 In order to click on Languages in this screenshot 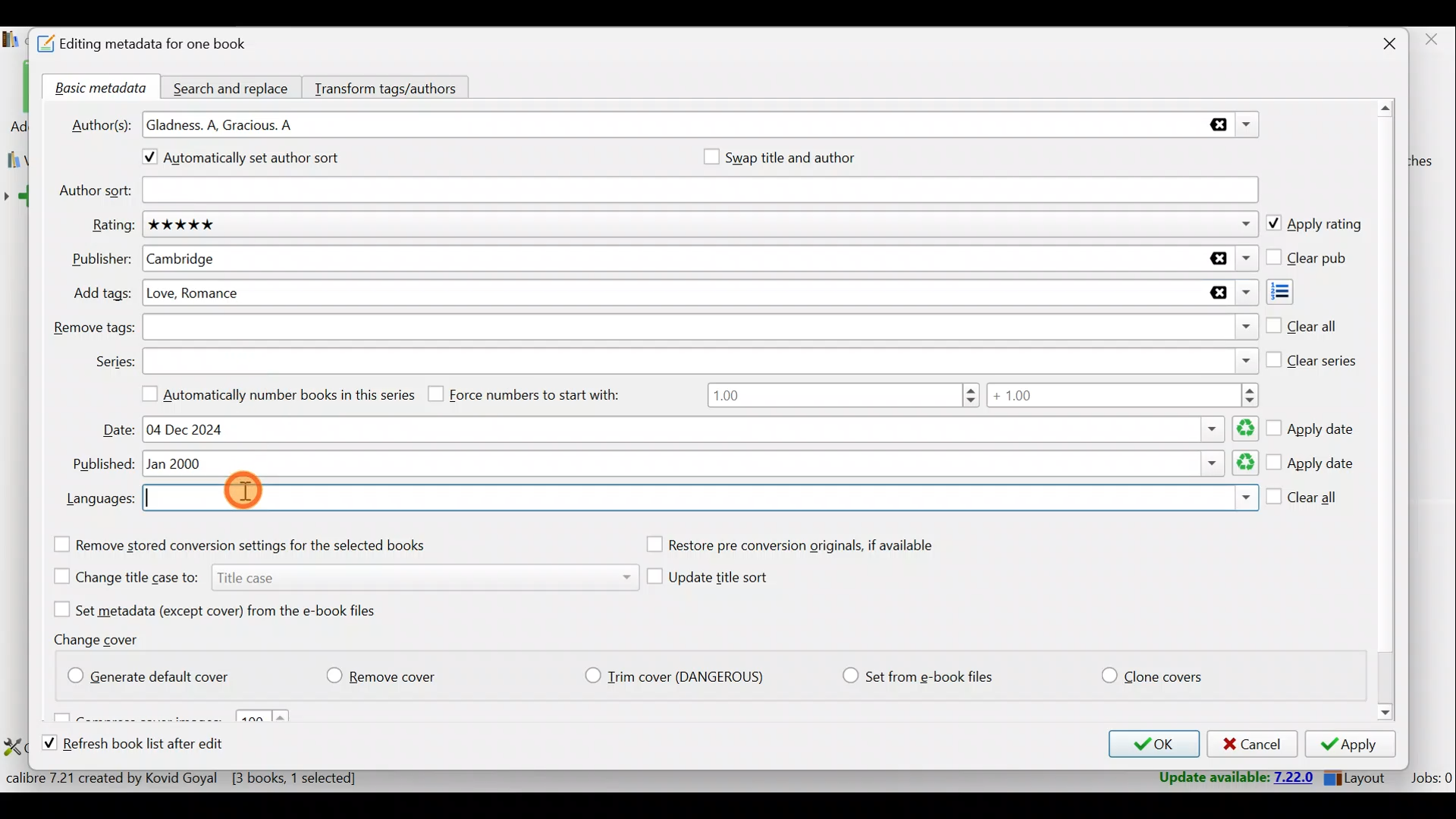, I will do `click(700, 500)`.